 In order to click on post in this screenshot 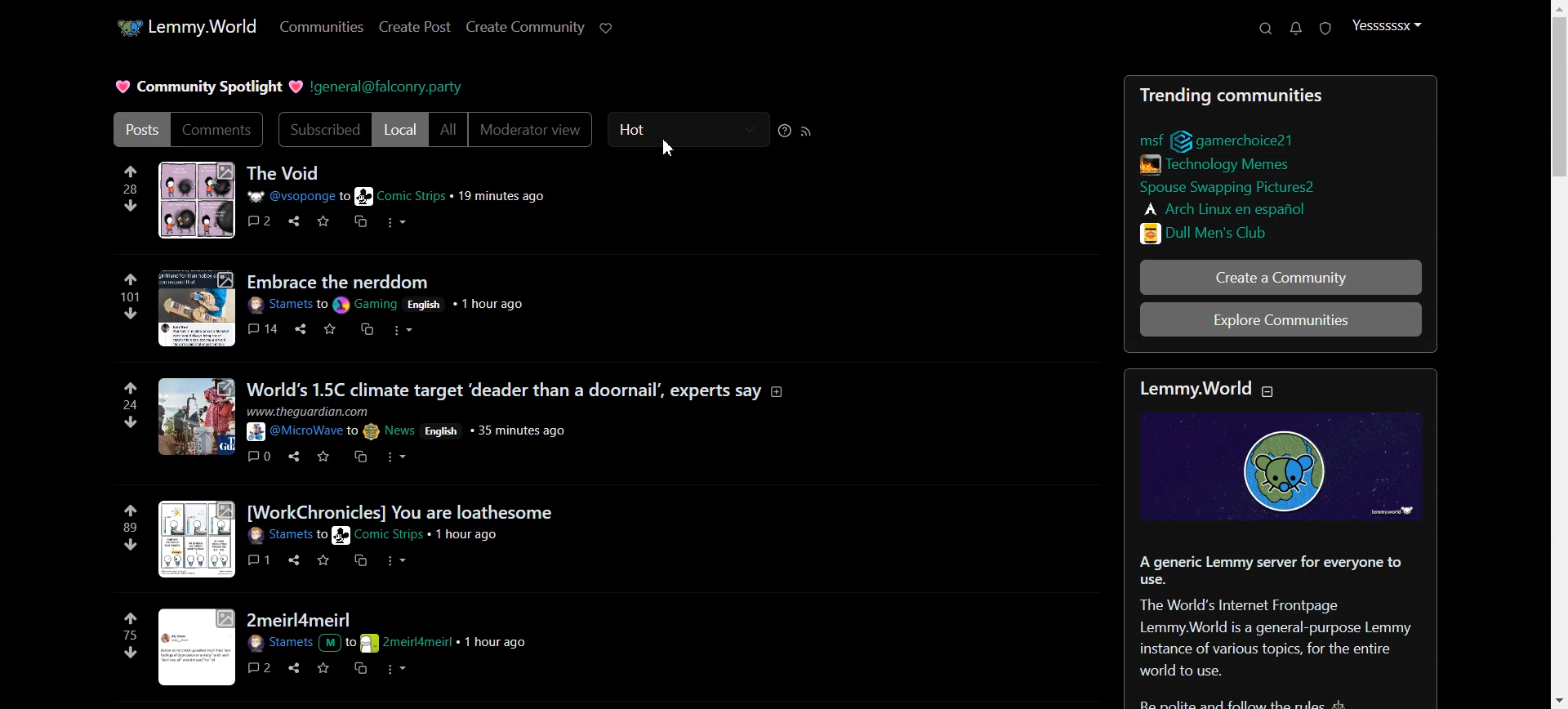, I will do `click(403, 511)`.